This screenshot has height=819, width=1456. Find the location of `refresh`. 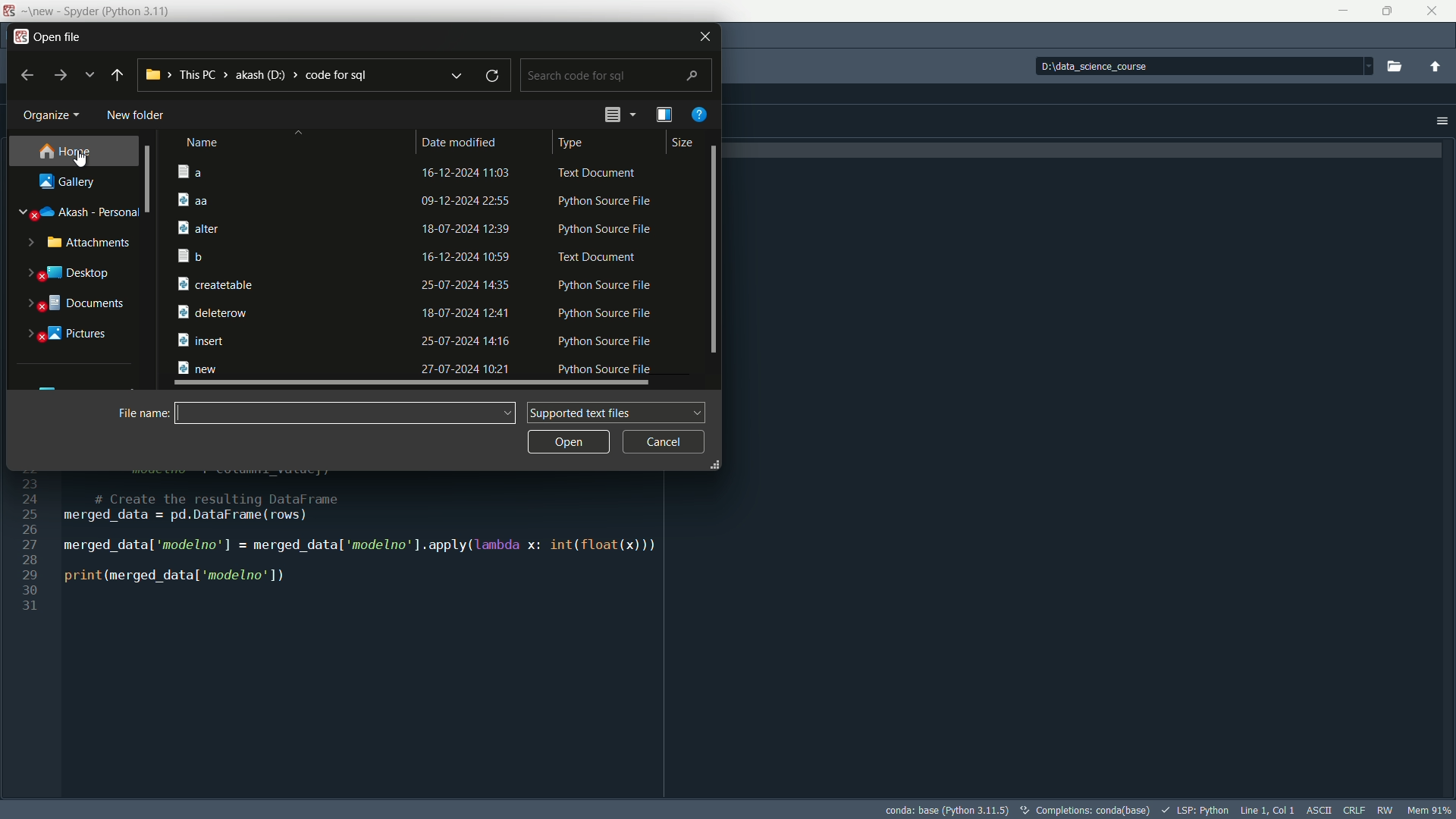

refresh is located at coordinates (497, 77).